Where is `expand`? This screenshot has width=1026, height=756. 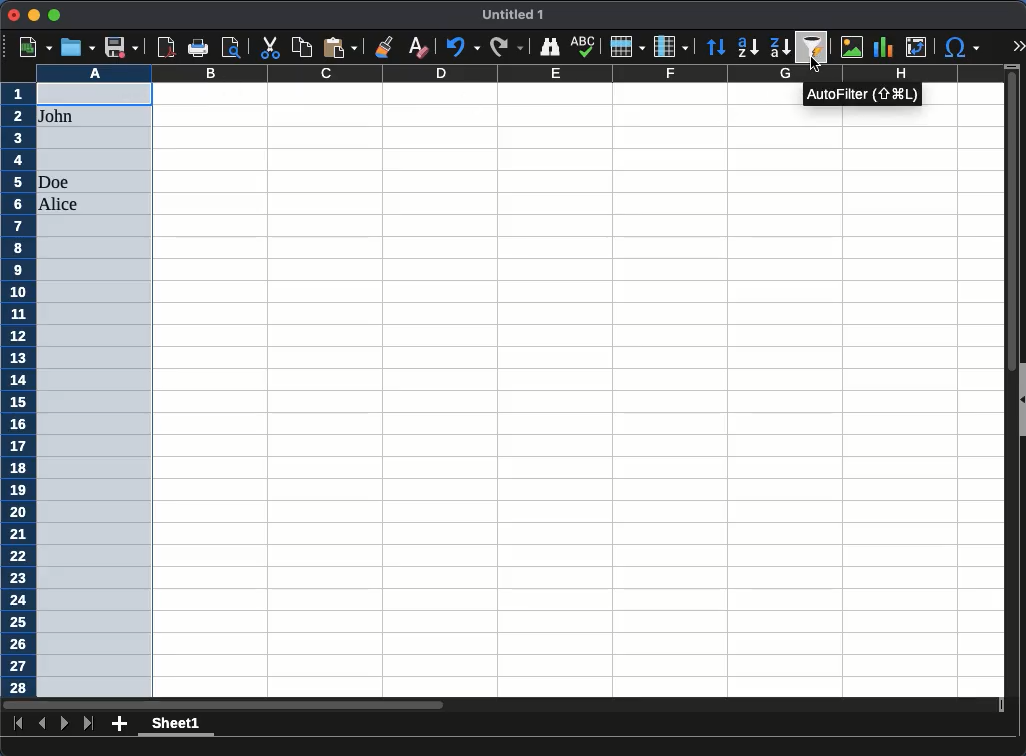
expand is located at coordinates (1017, 45).